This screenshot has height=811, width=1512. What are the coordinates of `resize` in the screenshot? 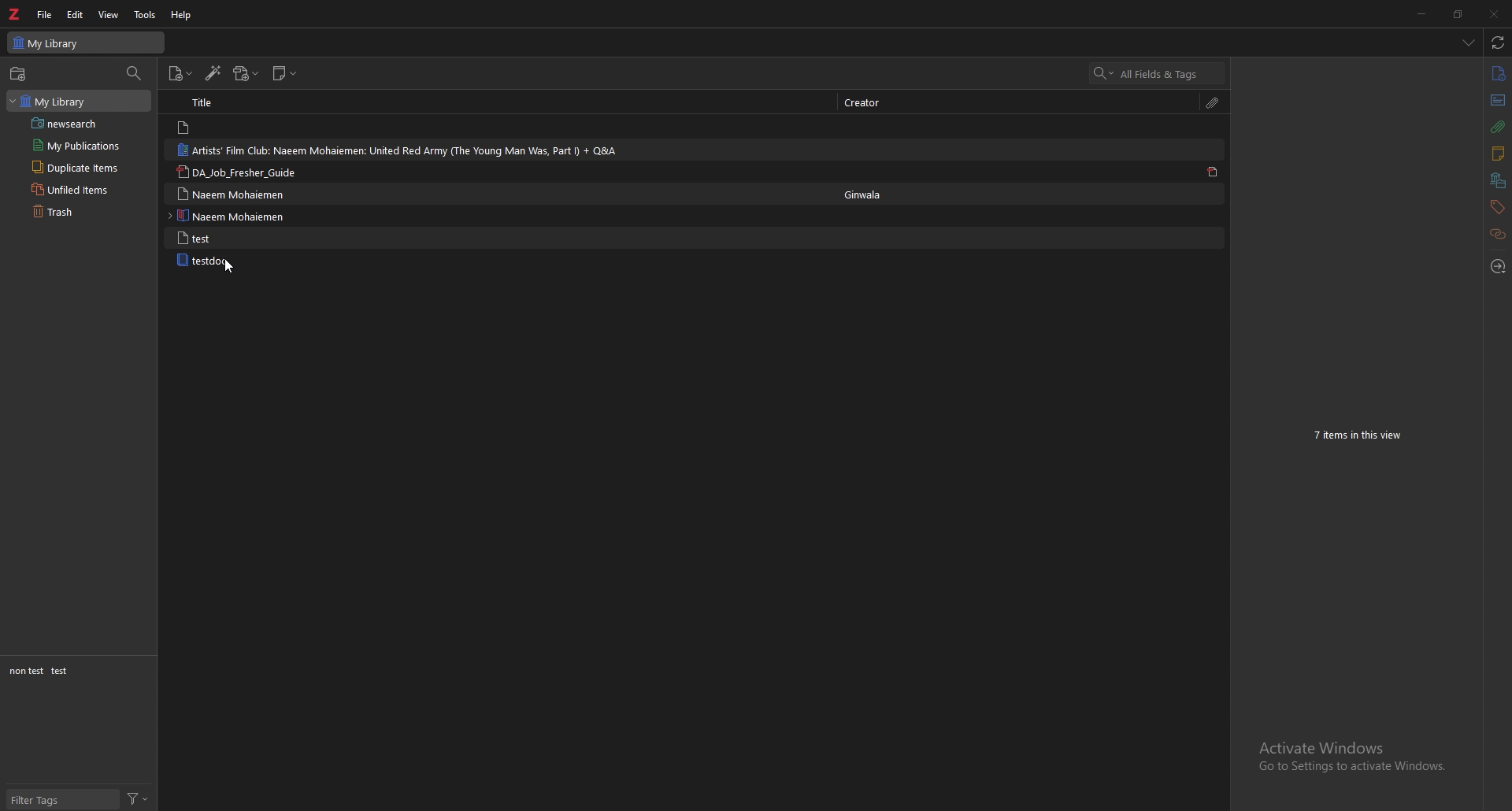 It's located at (1457, 14).